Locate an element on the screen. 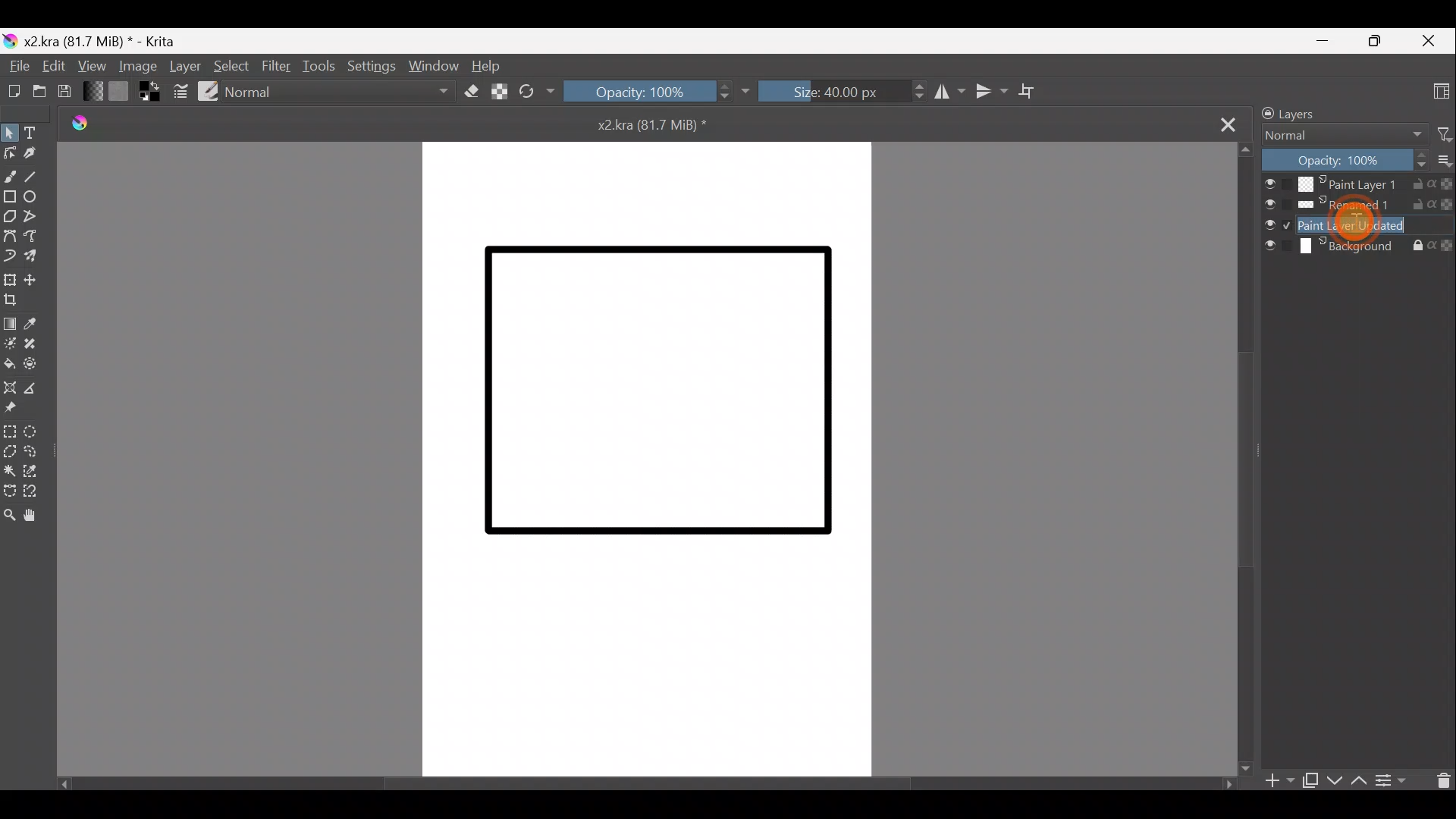  Open an existing document is located at coordinates (41, 90).